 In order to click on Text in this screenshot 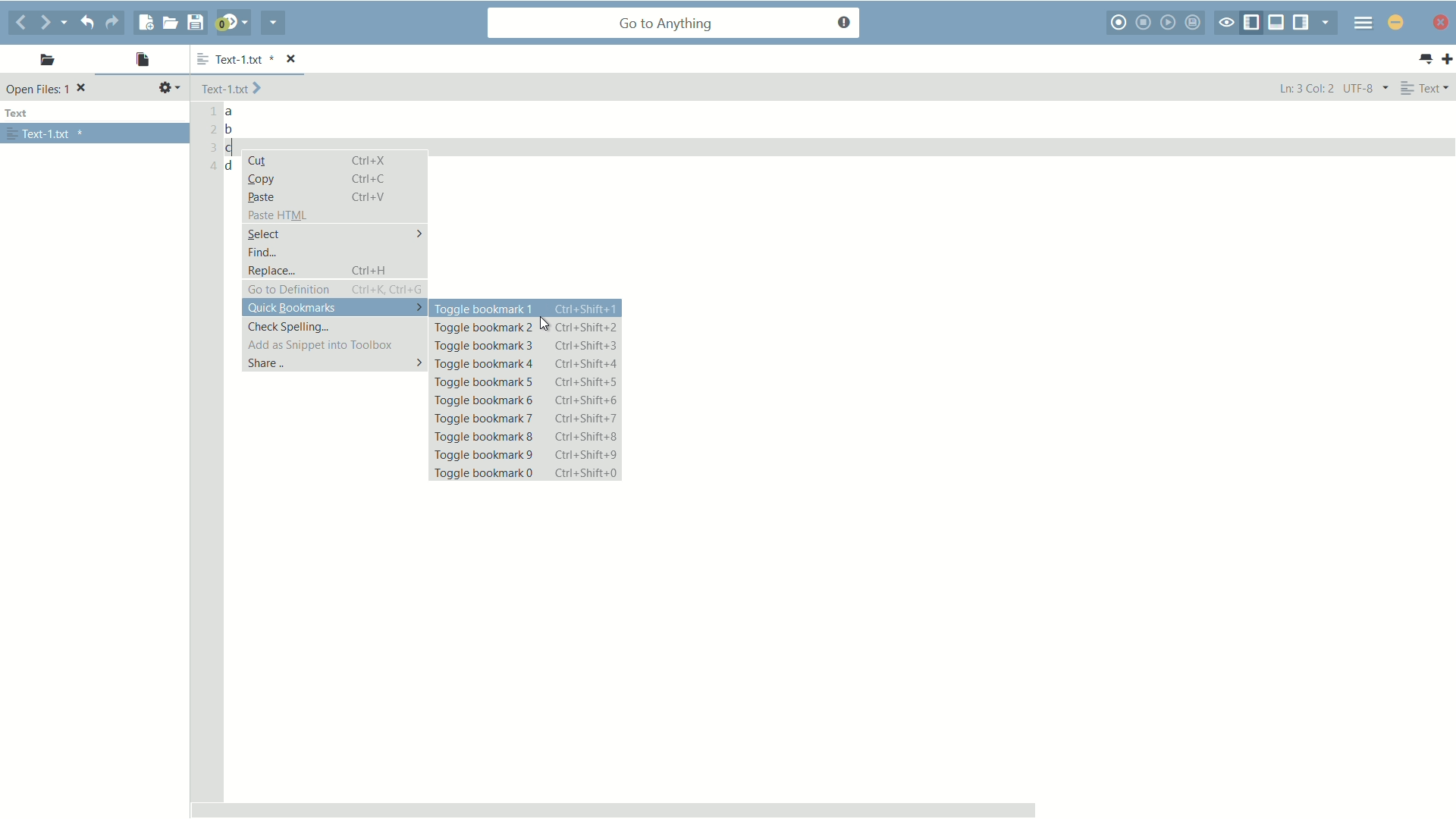, I will do `click(1427, 88)`.